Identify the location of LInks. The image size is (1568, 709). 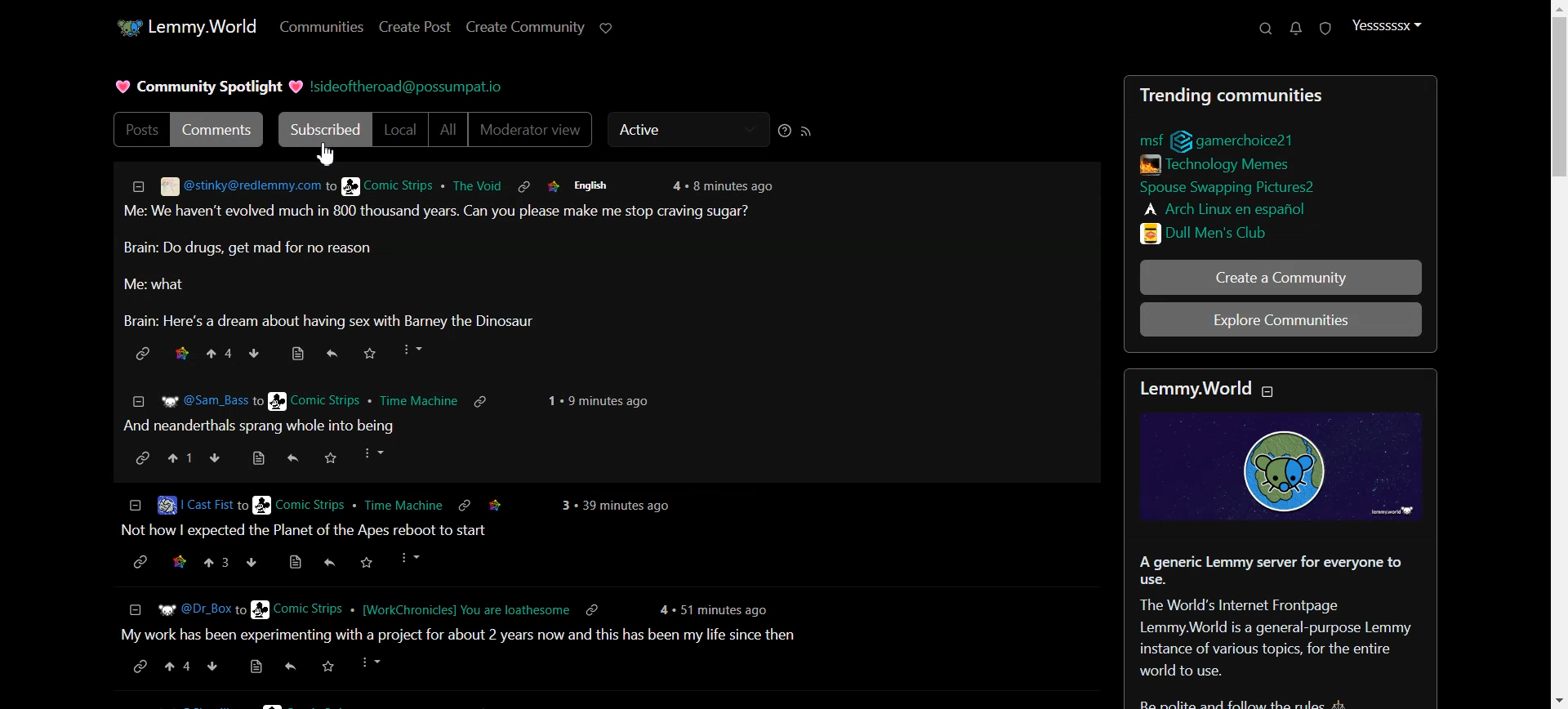
(1211, 232).